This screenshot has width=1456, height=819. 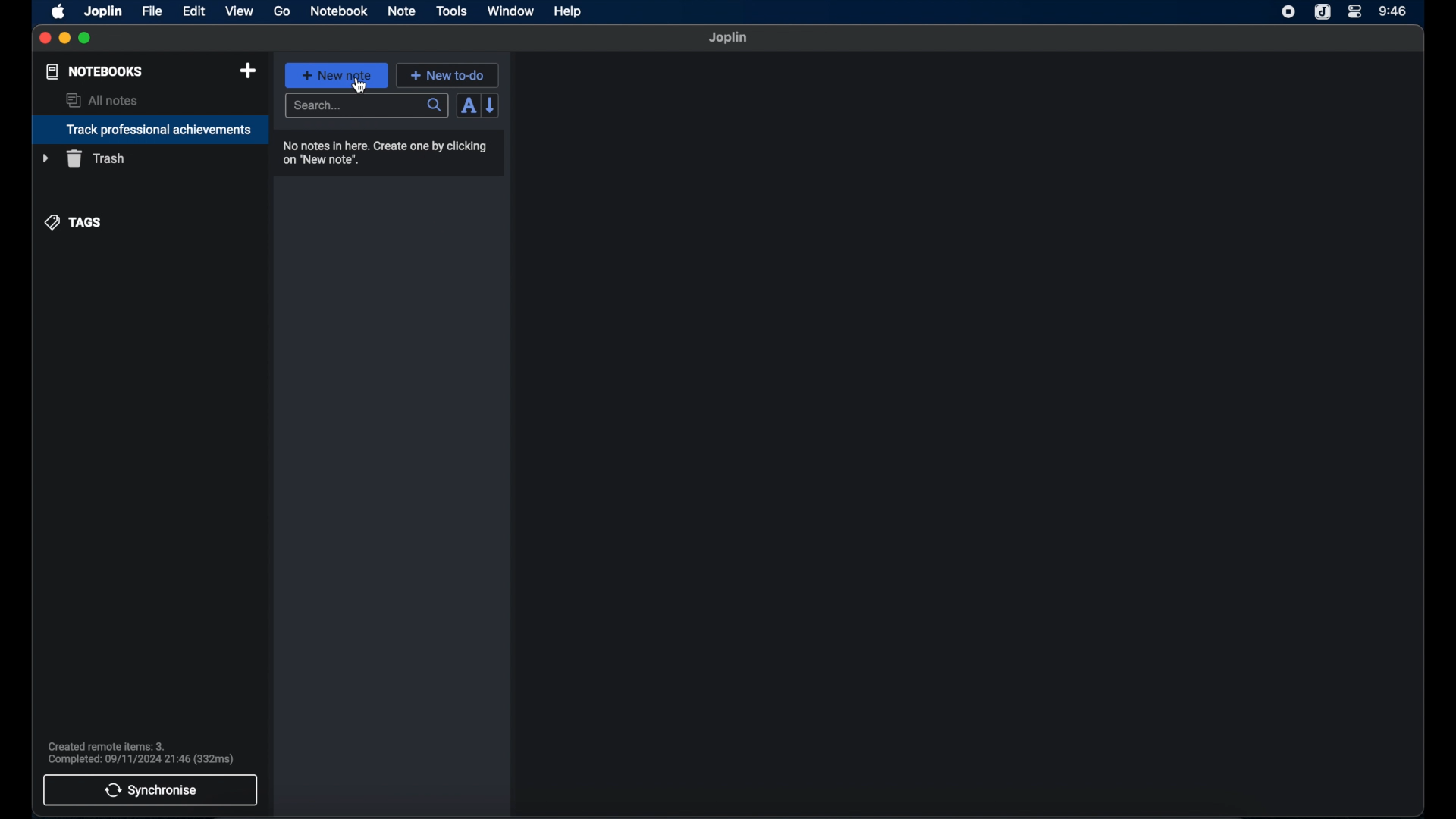 I want to click on go, so click(x=283, y=11).